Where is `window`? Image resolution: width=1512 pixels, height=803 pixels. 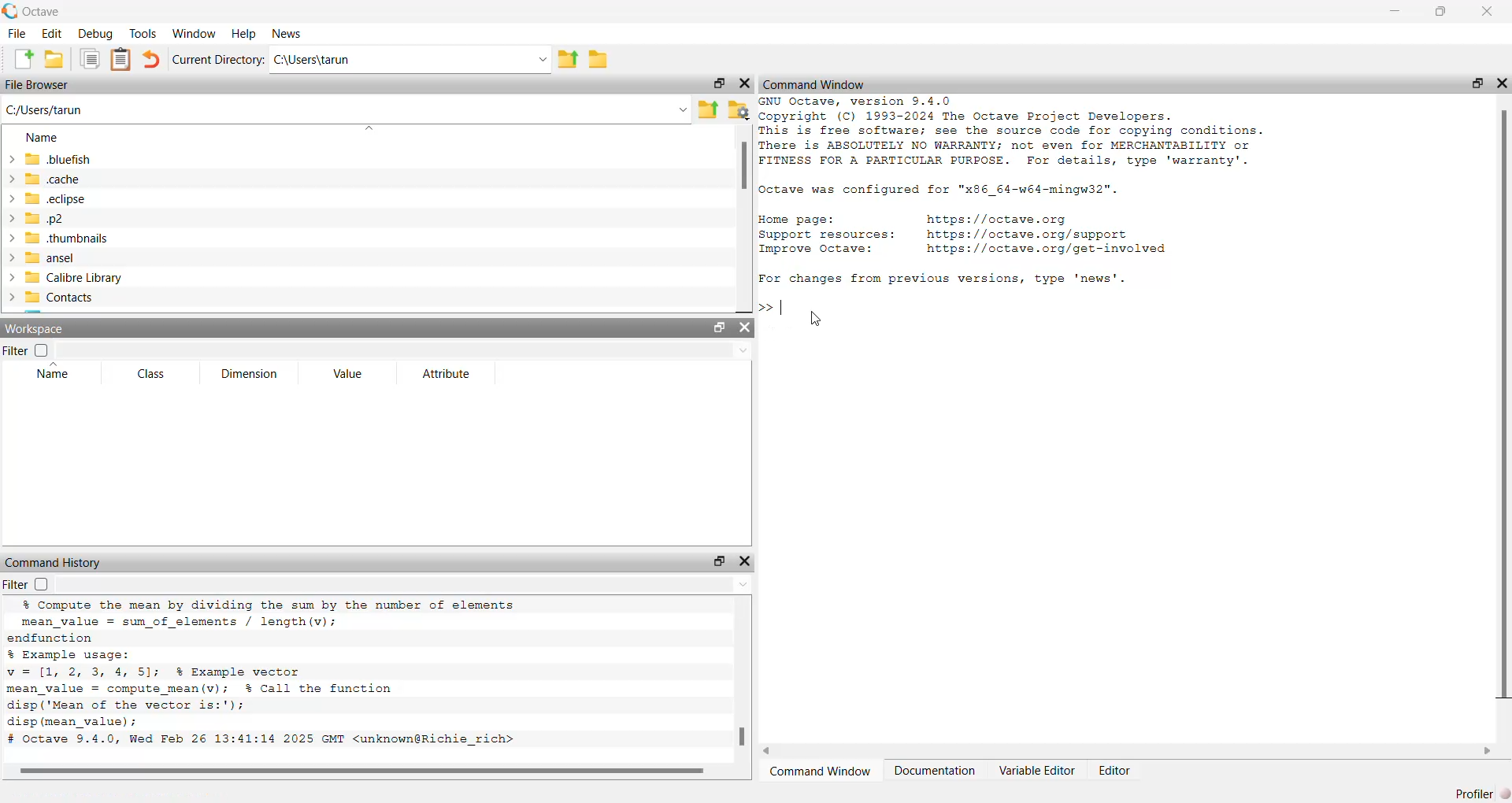
window is located at coordinates (195, 33).